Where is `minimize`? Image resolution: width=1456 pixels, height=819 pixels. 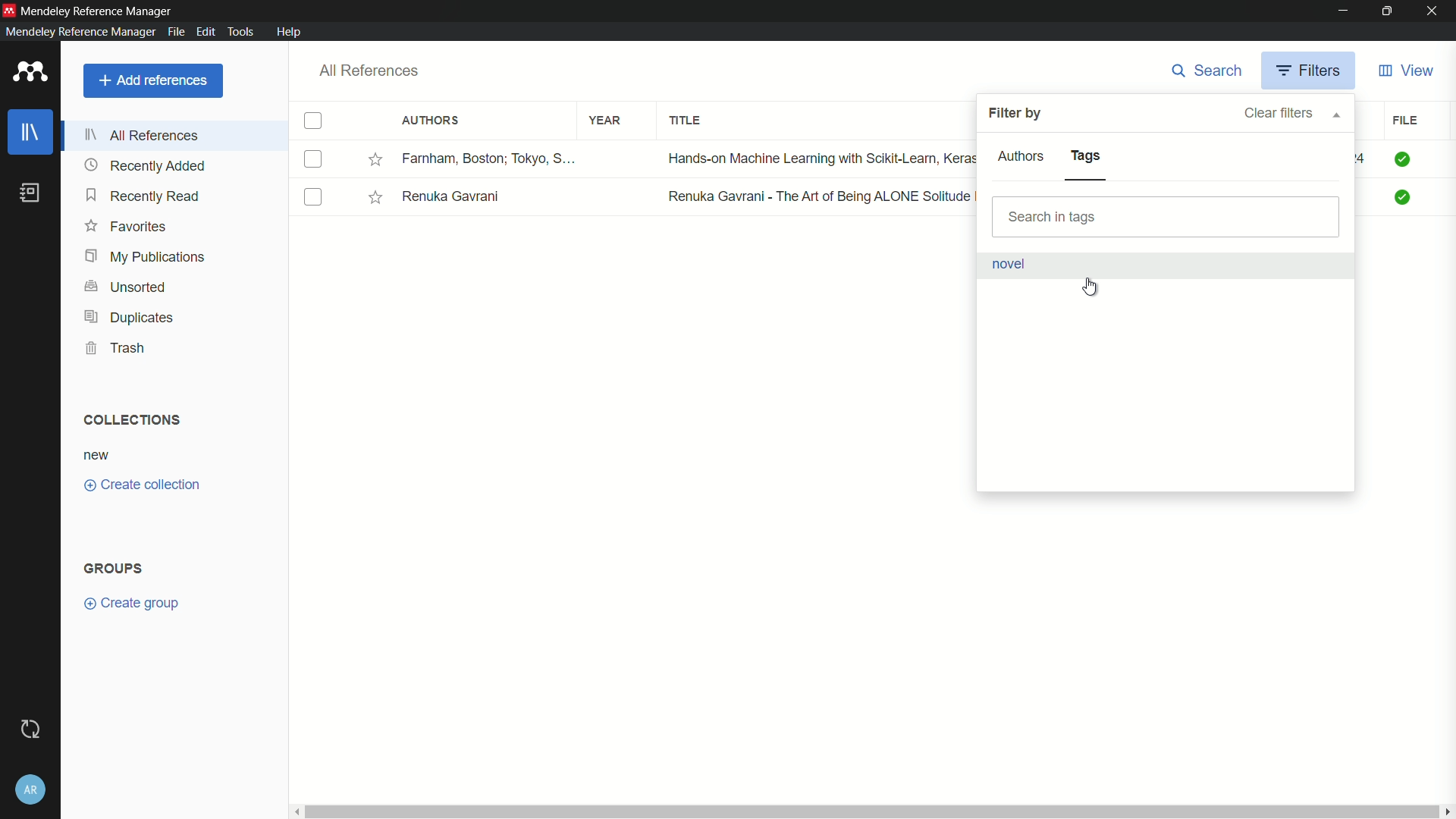
minimize is located at coordinates (1341, 11).